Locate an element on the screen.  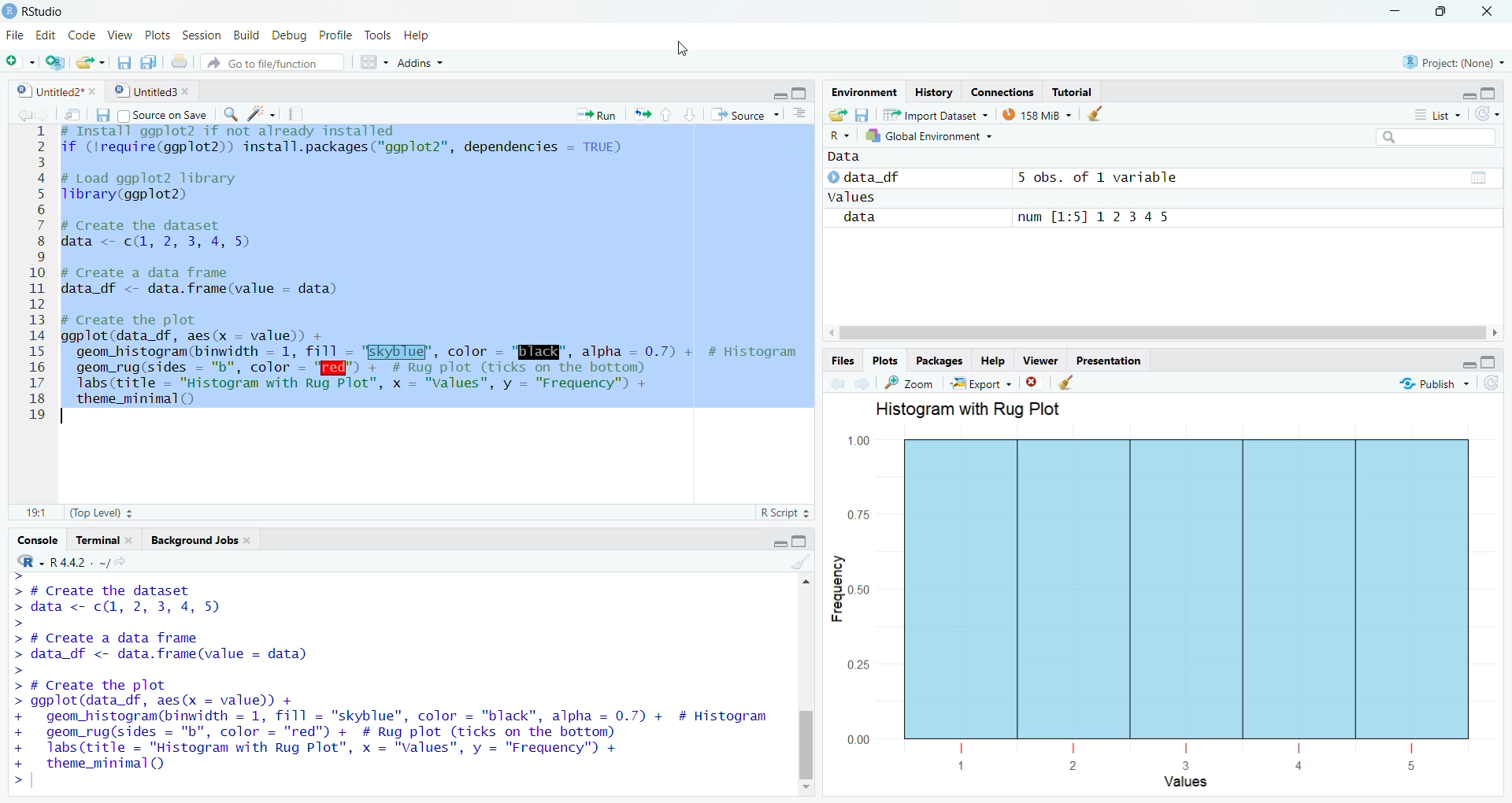
Debug is located at coordinates (291, 34).